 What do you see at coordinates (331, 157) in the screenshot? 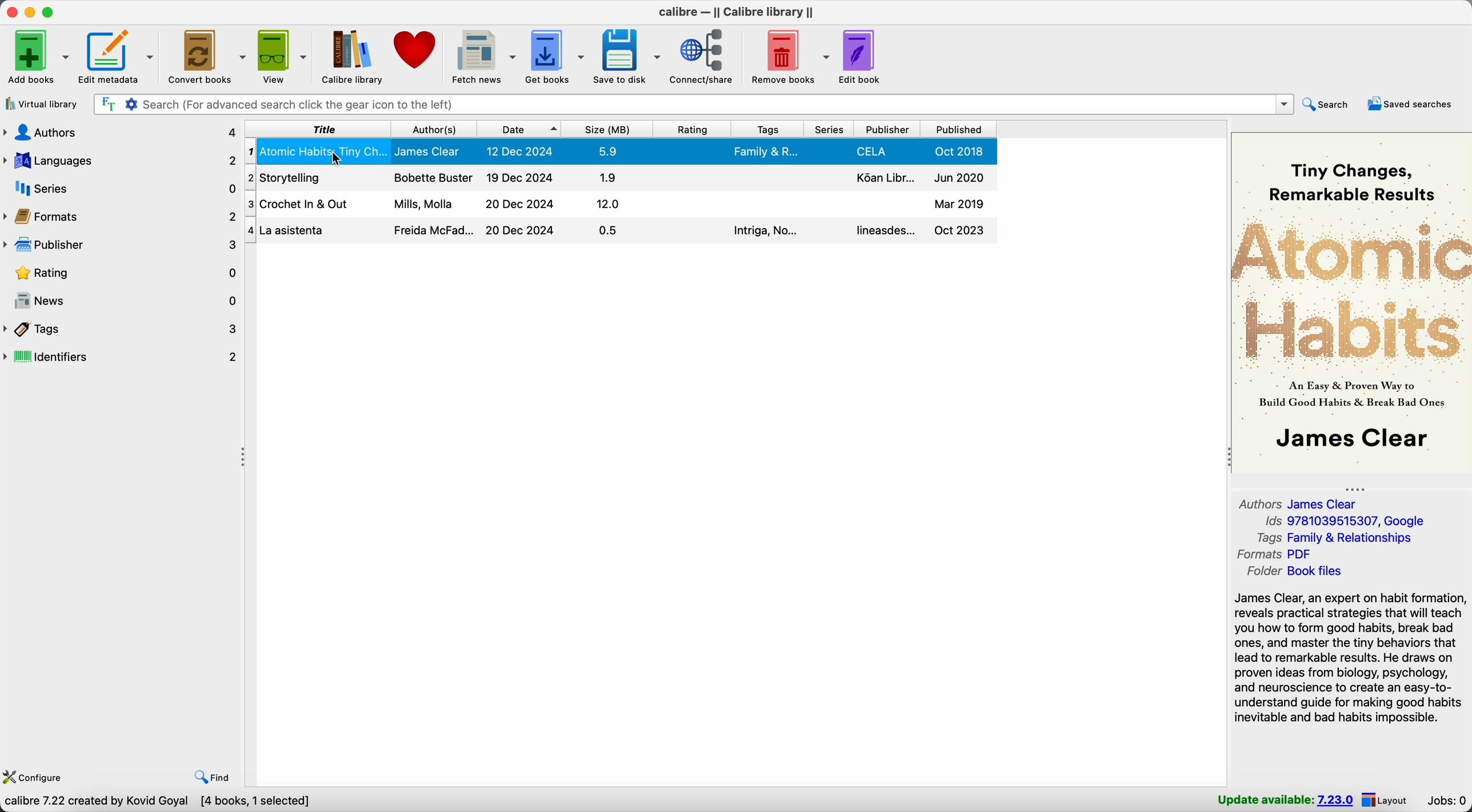
I see `cursor` at bounding box center [331, 157].